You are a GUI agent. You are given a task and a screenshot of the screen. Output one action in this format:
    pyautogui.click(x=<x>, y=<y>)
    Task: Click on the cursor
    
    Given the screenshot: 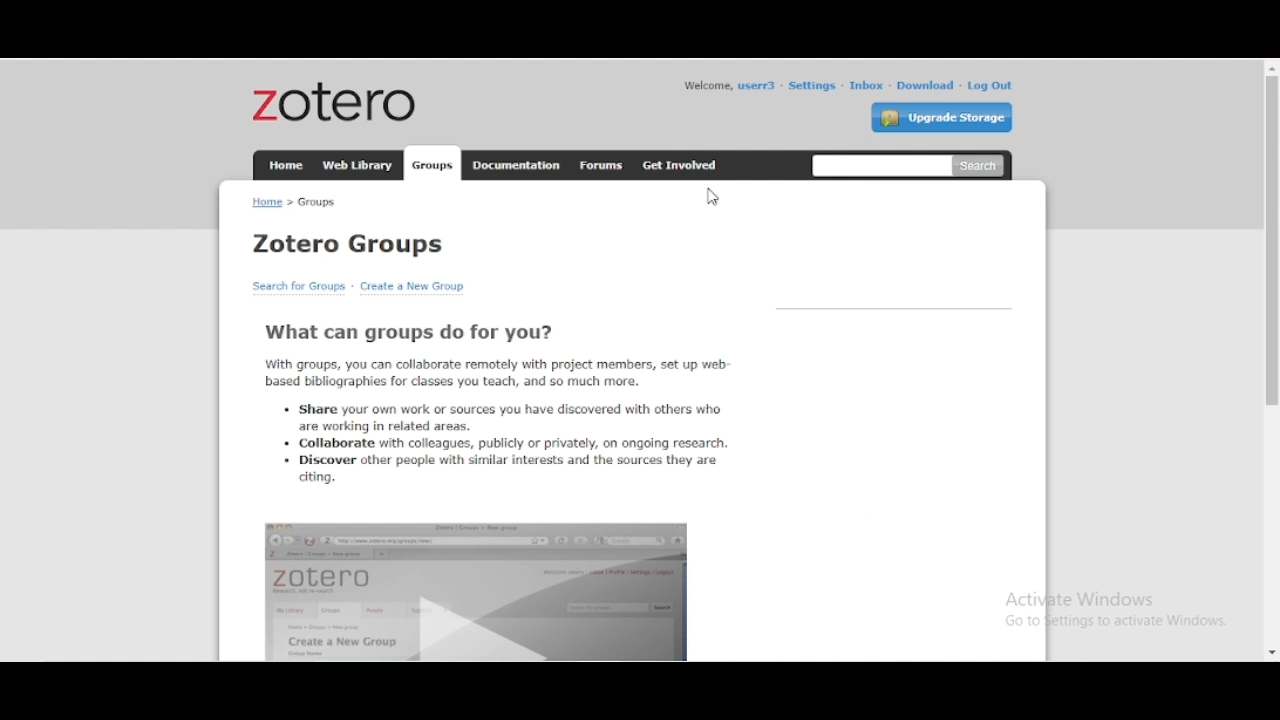 What is the action you would take?
    pyautogui.click(x=712, y=196)
    